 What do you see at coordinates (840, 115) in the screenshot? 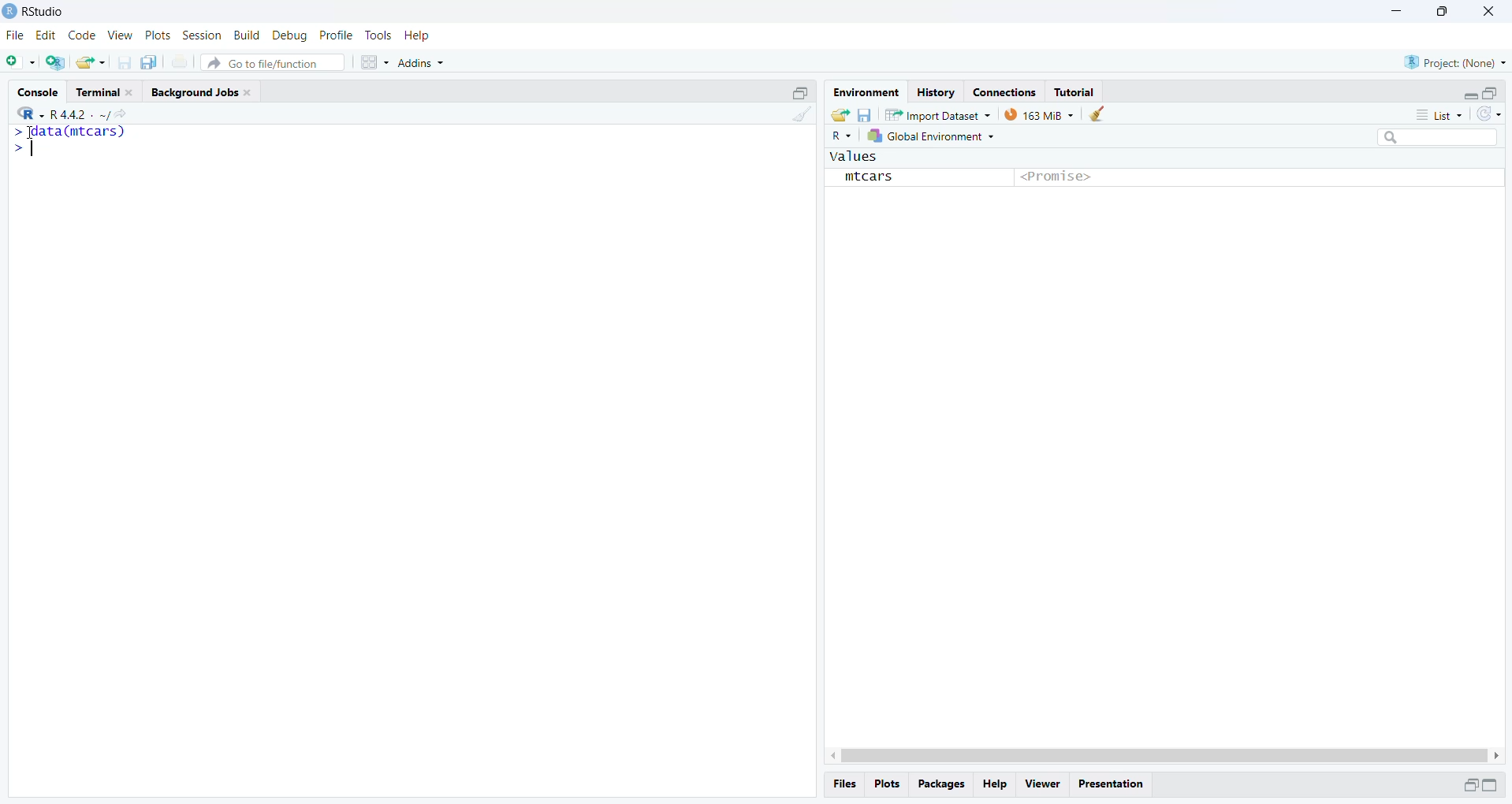
I see `share` at bounding box center [840, 115].